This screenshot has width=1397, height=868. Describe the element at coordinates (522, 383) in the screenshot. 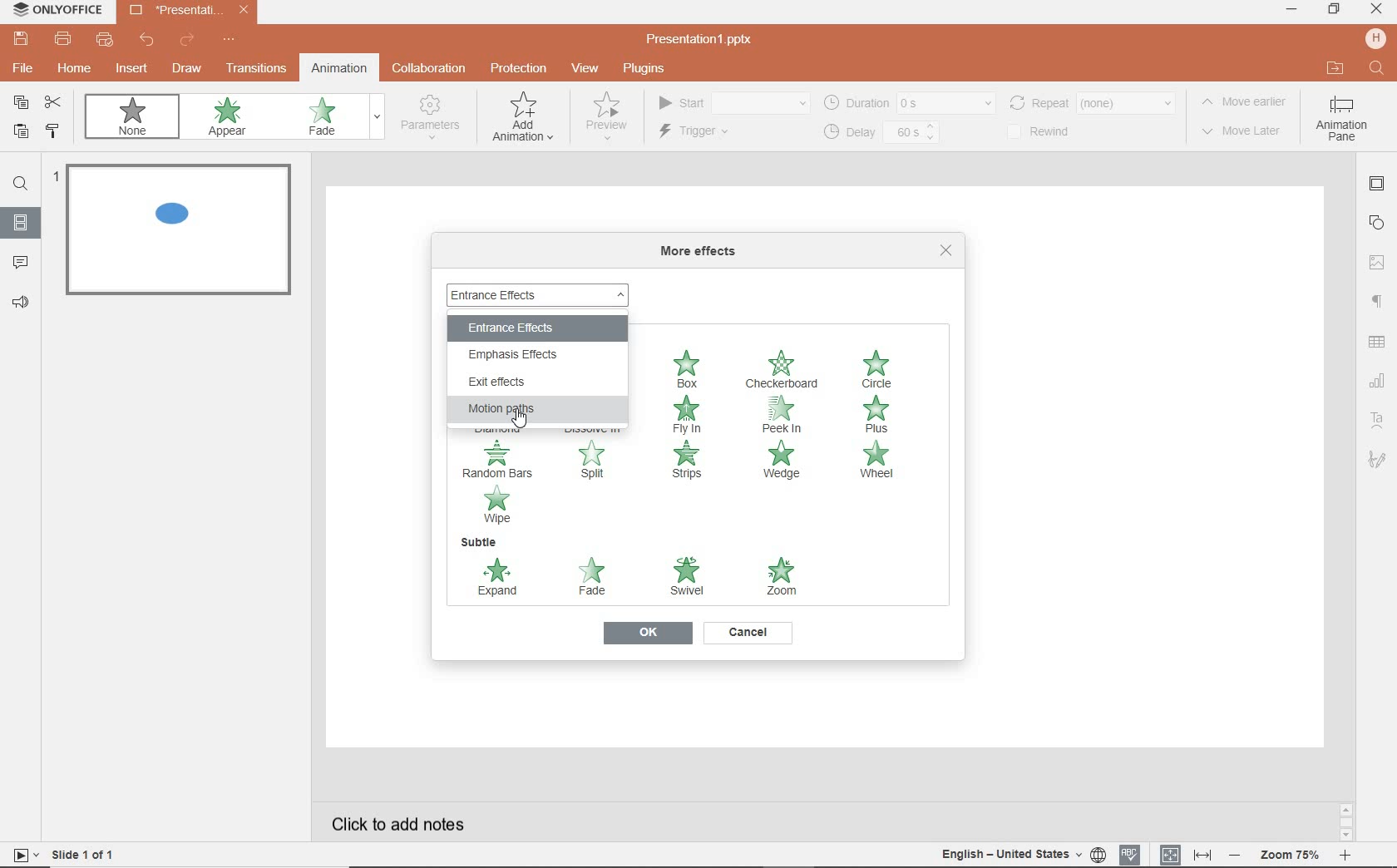

I see `EFFICT EFFECTS` at that location.